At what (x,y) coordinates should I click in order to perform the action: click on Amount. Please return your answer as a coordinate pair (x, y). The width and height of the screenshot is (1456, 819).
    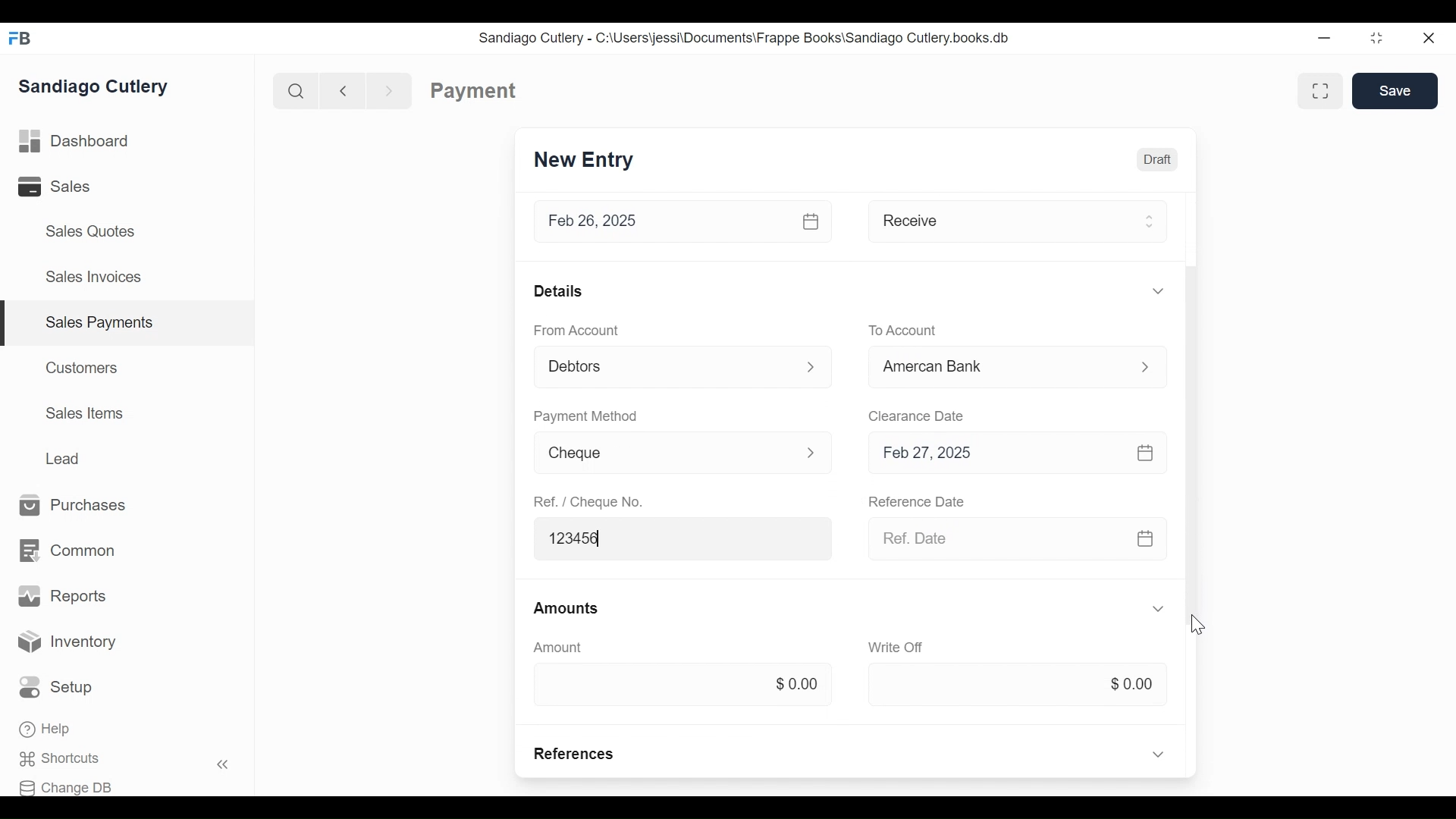
    Looking at the image, I should click on (558, 647).